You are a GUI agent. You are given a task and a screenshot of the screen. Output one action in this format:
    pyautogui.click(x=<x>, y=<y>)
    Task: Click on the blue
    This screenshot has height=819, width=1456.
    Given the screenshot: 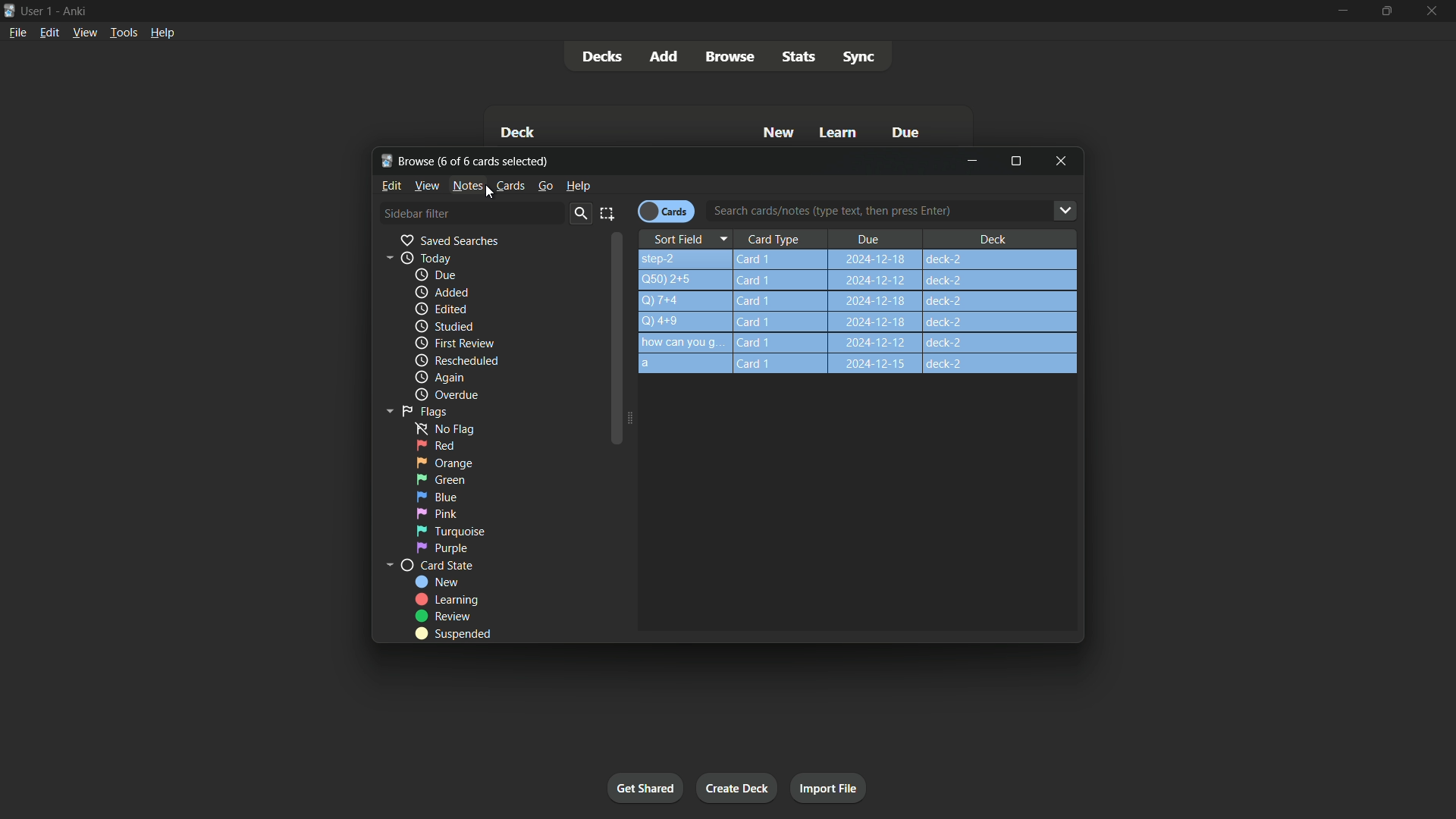 What is the action you would take?
    pyautogui.click(x=436, y=497)
    